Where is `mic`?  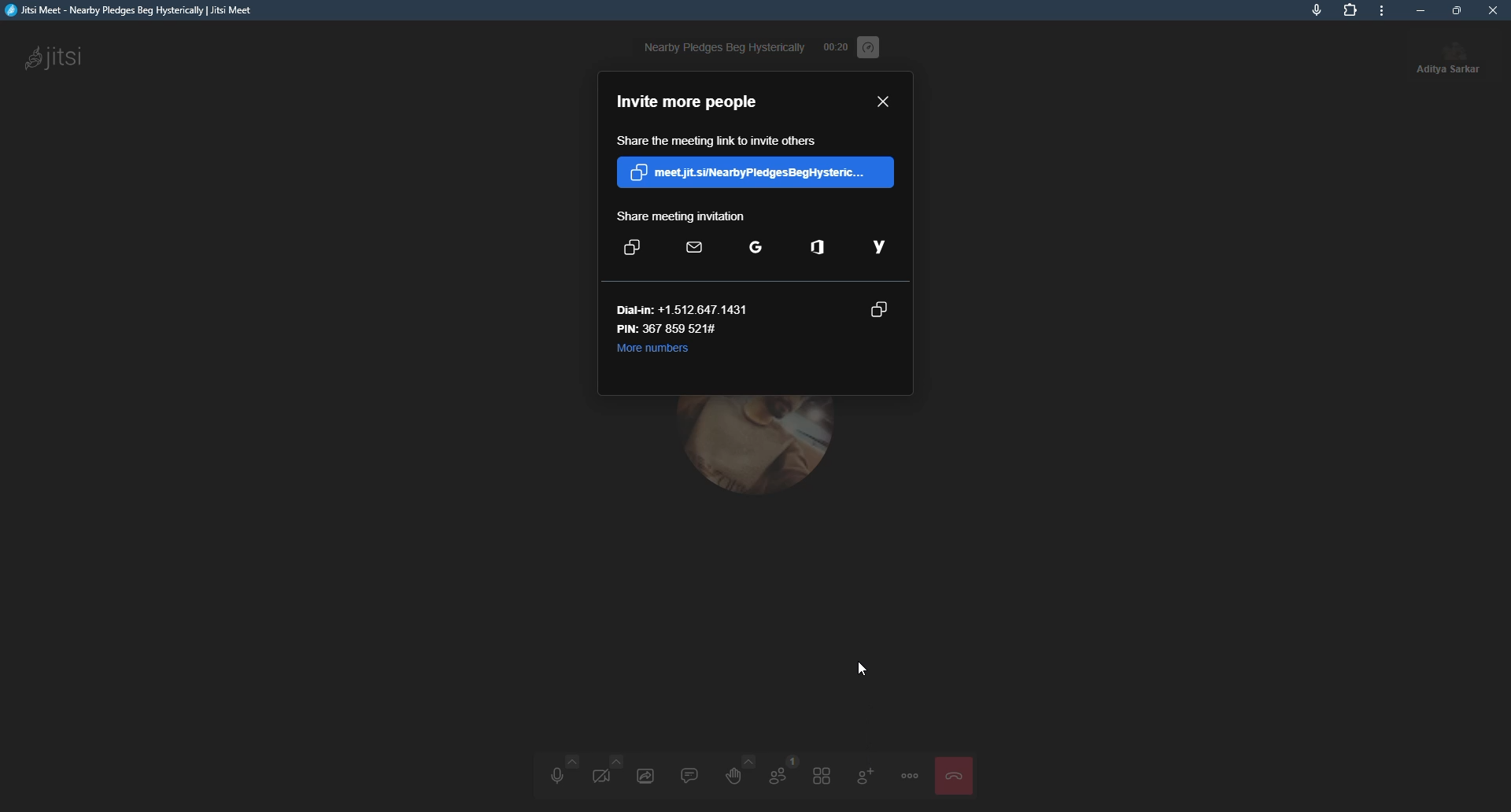 mic is located at coordinates (1317, 10).